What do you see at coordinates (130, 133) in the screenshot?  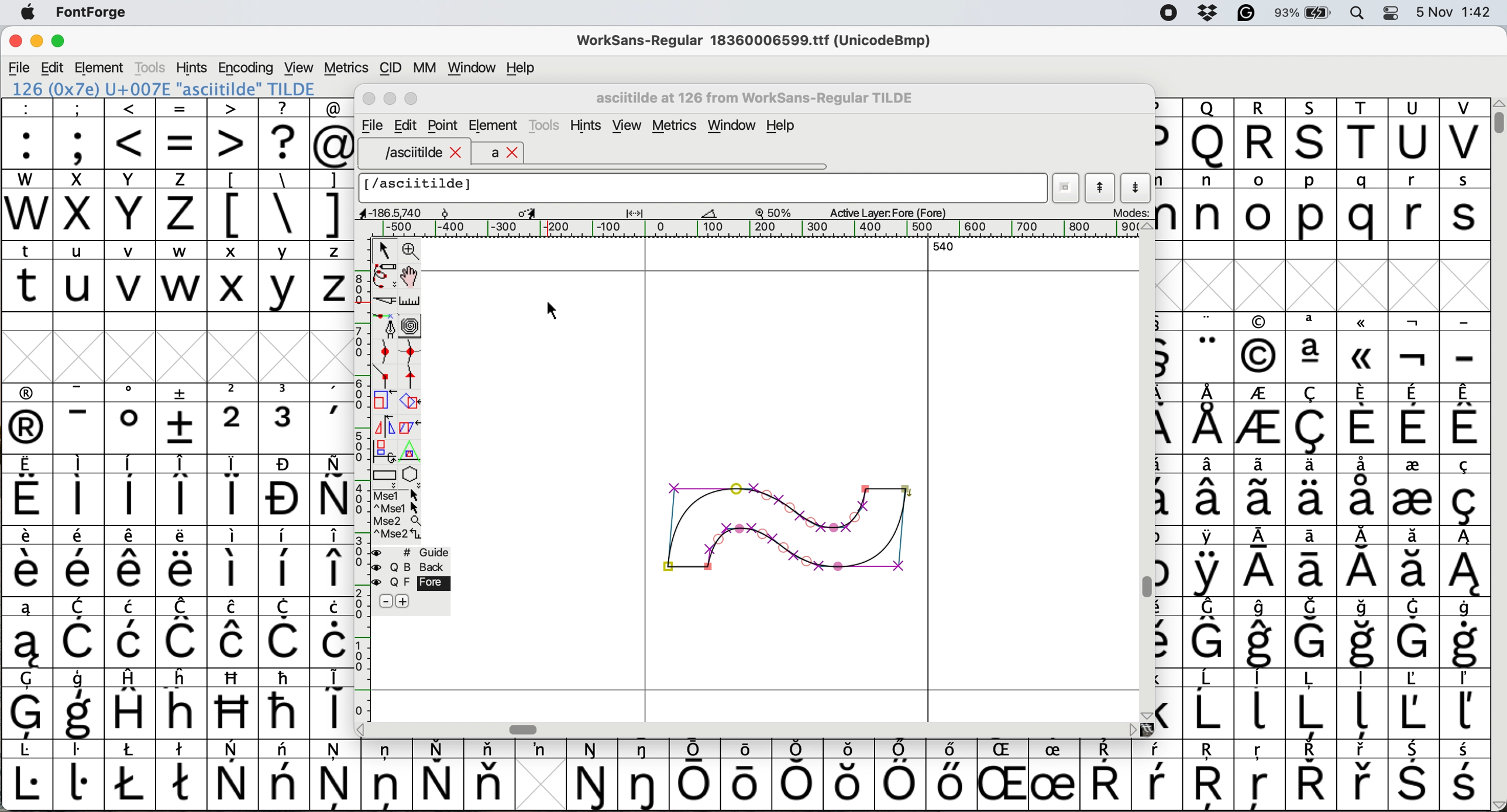 I see `<` at bounding box center [130, 133].